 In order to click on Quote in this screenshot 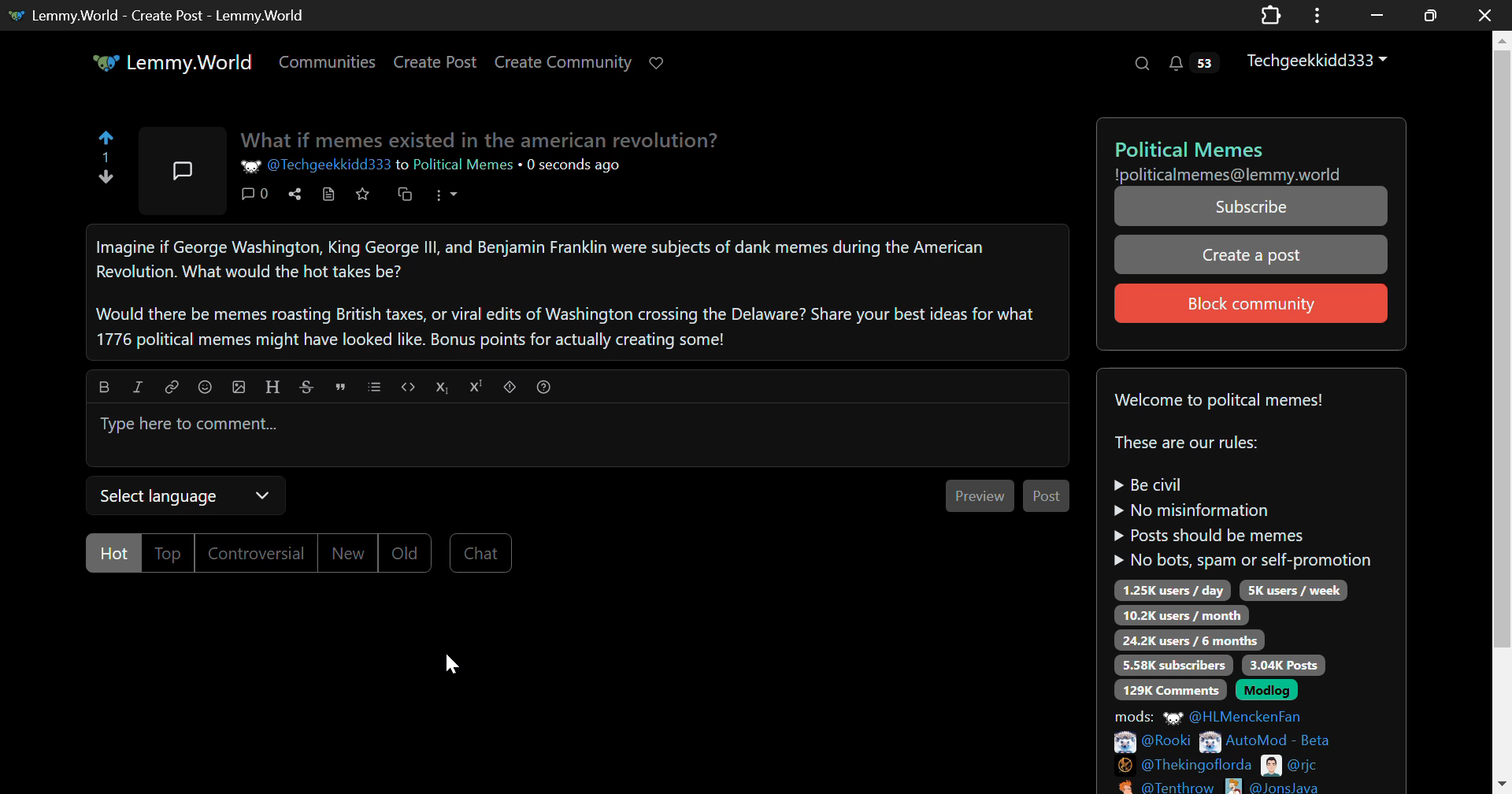, I will do `click(341, 386)`.